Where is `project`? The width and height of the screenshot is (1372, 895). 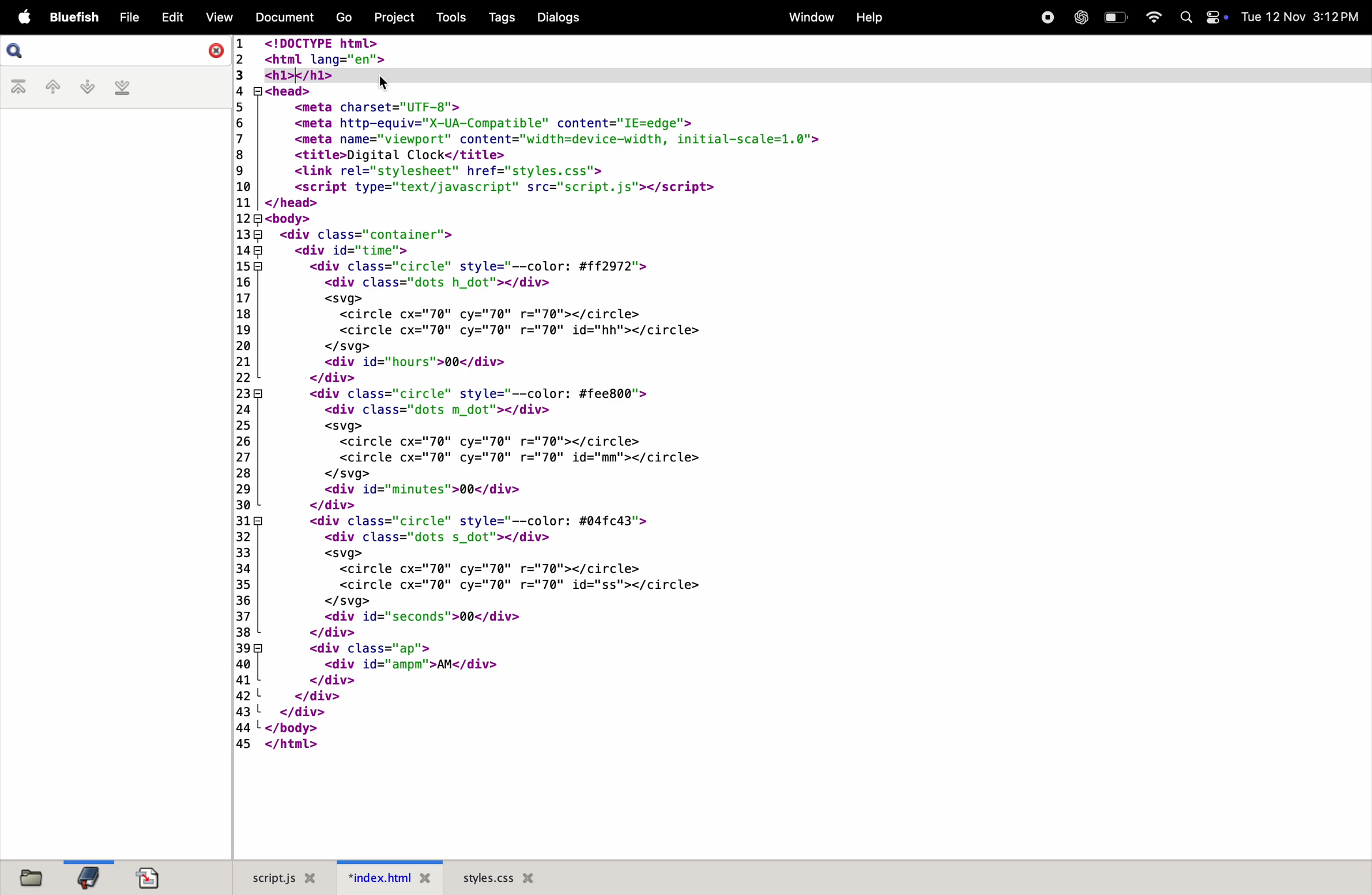 project is located at coordinates (392, 16).